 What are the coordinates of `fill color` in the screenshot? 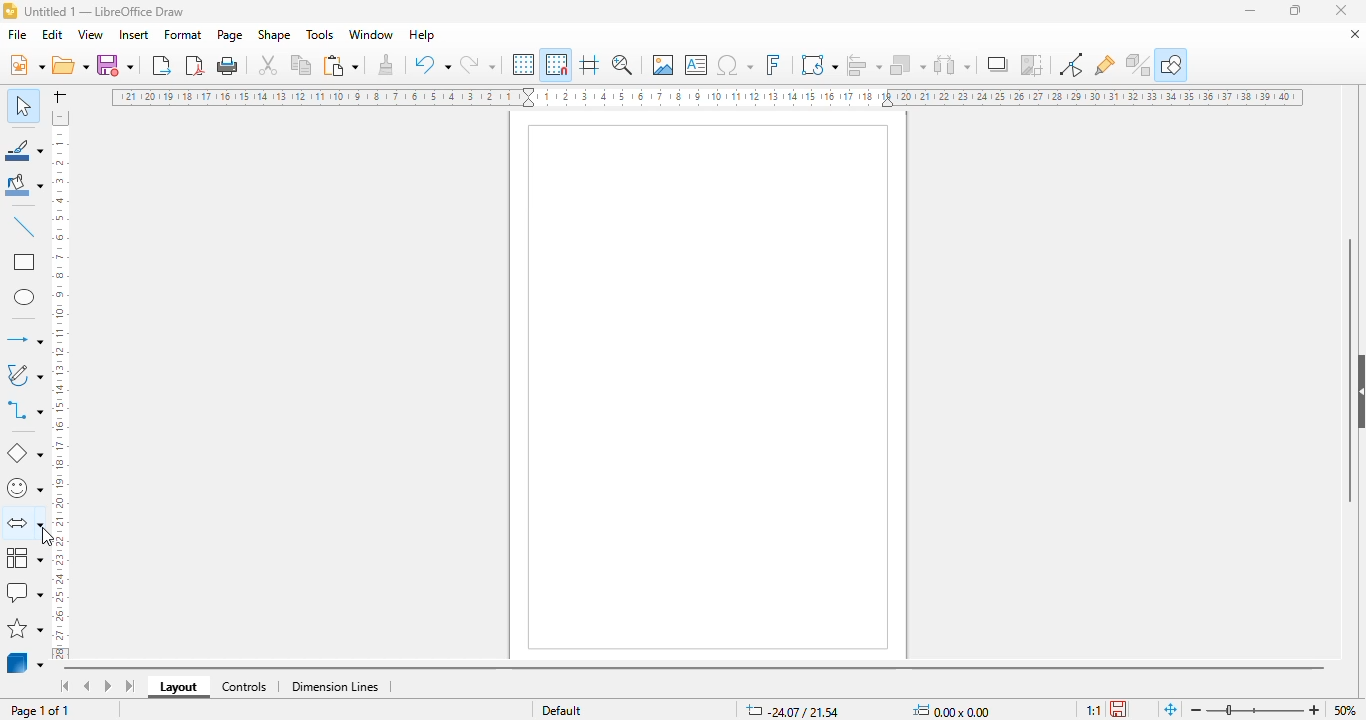 It's located at (25, 185).